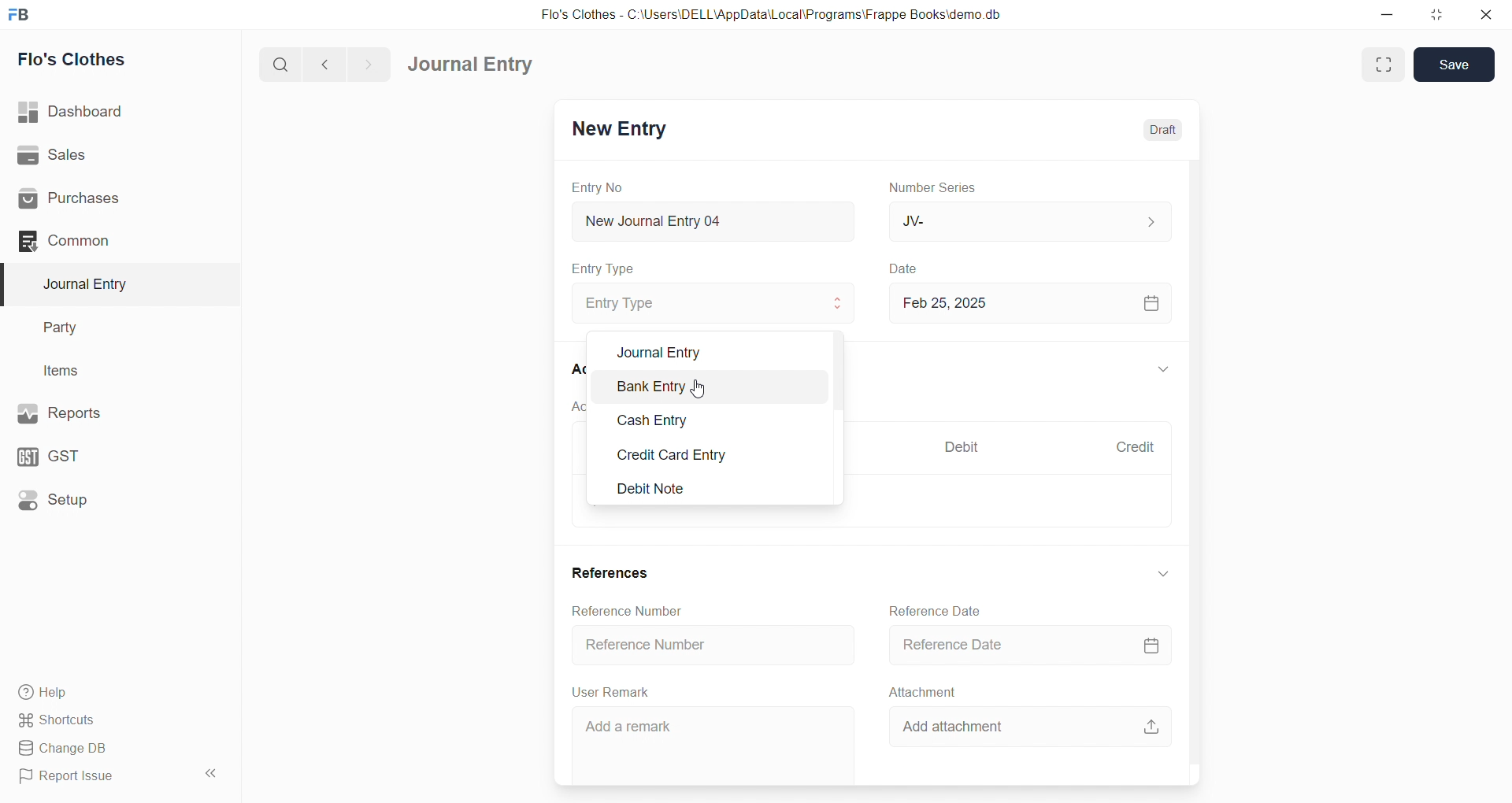  What do you see at coordinates (110, 412) in the screenshot?
I see `Reports` at bounding box center [110, 412].